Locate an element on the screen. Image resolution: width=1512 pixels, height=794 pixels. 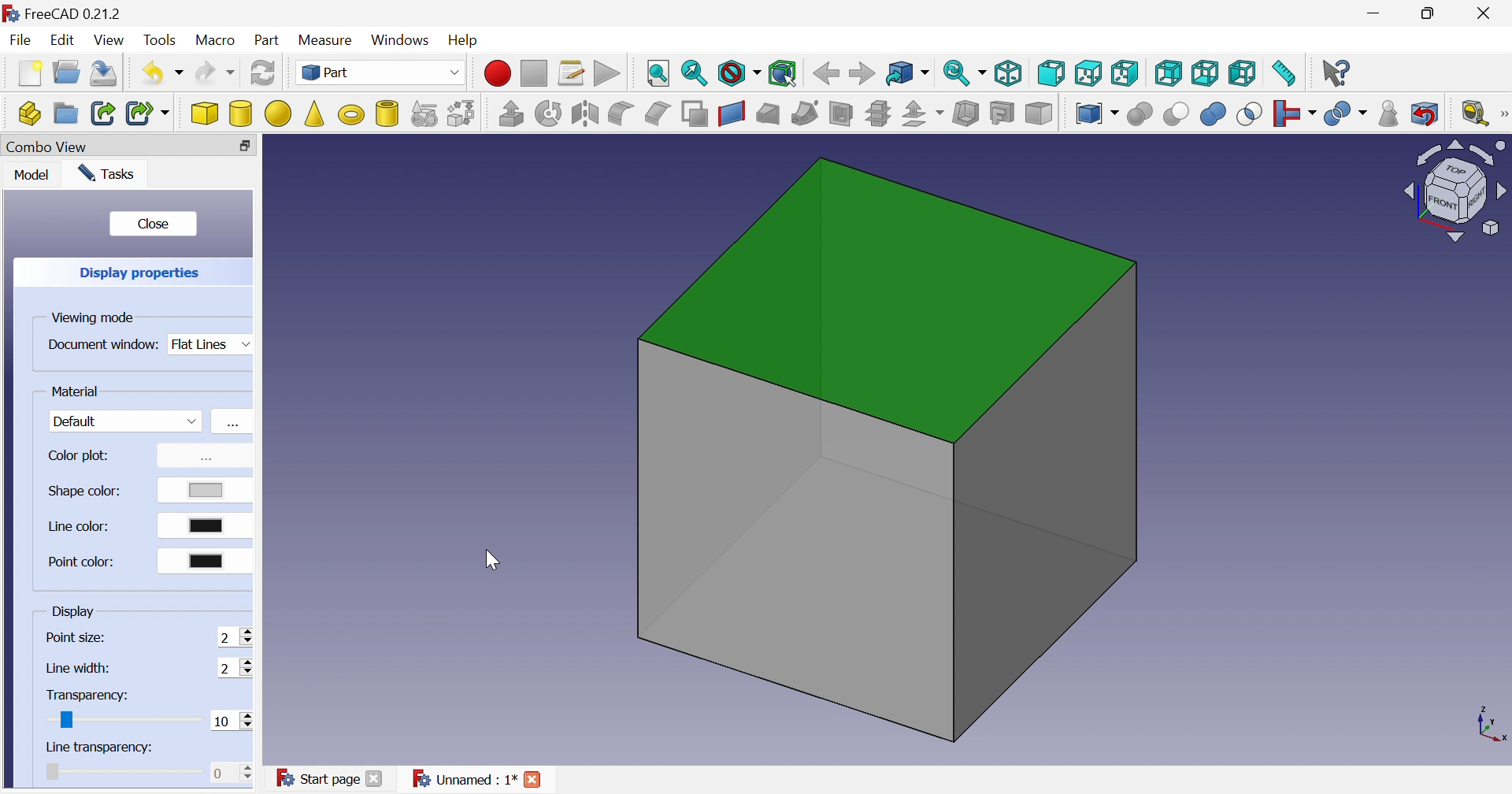
Close is located at coordinates (156, 223).